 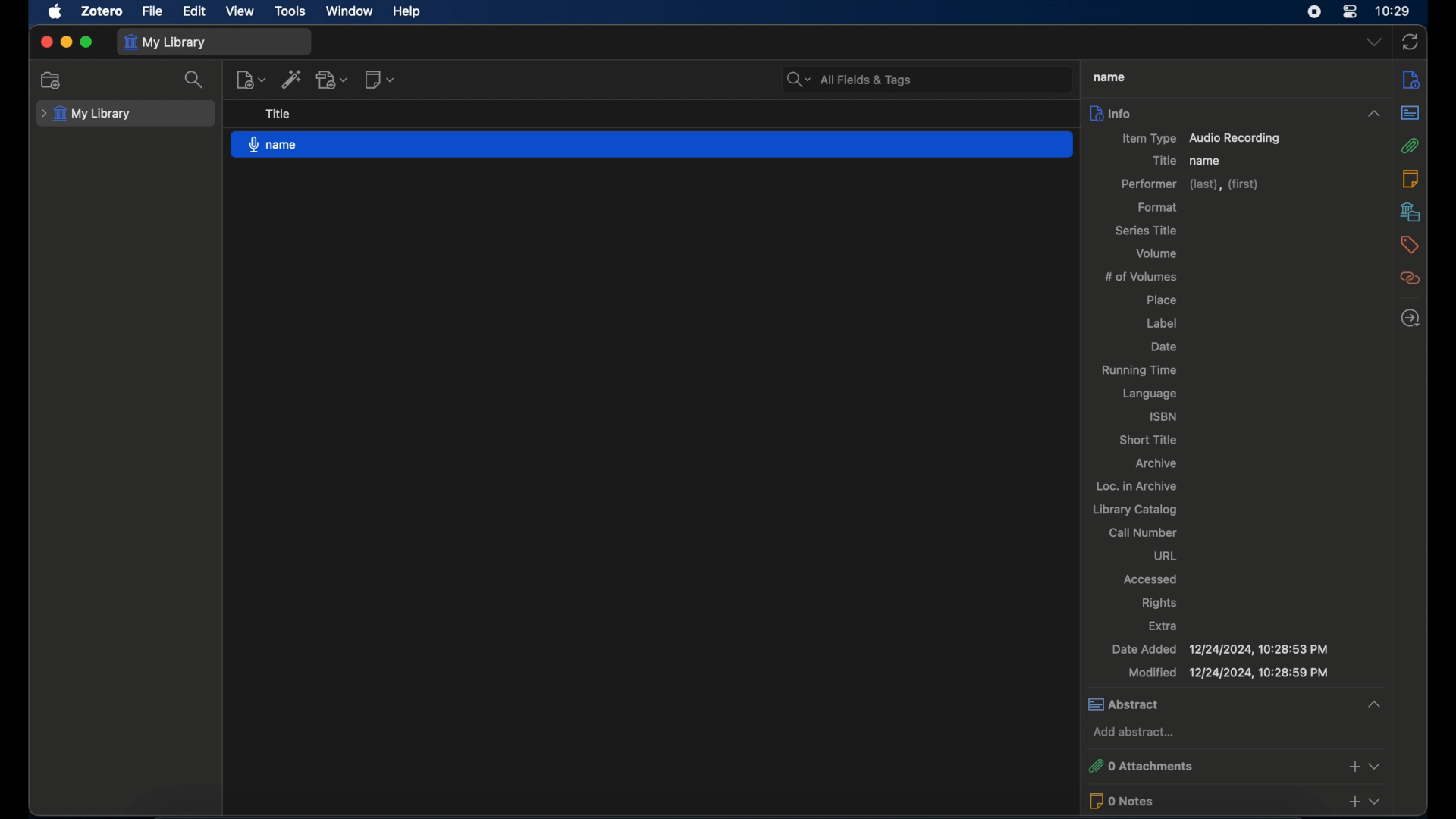 I want to click on loc. in archive, so click(x=1137, y=486).